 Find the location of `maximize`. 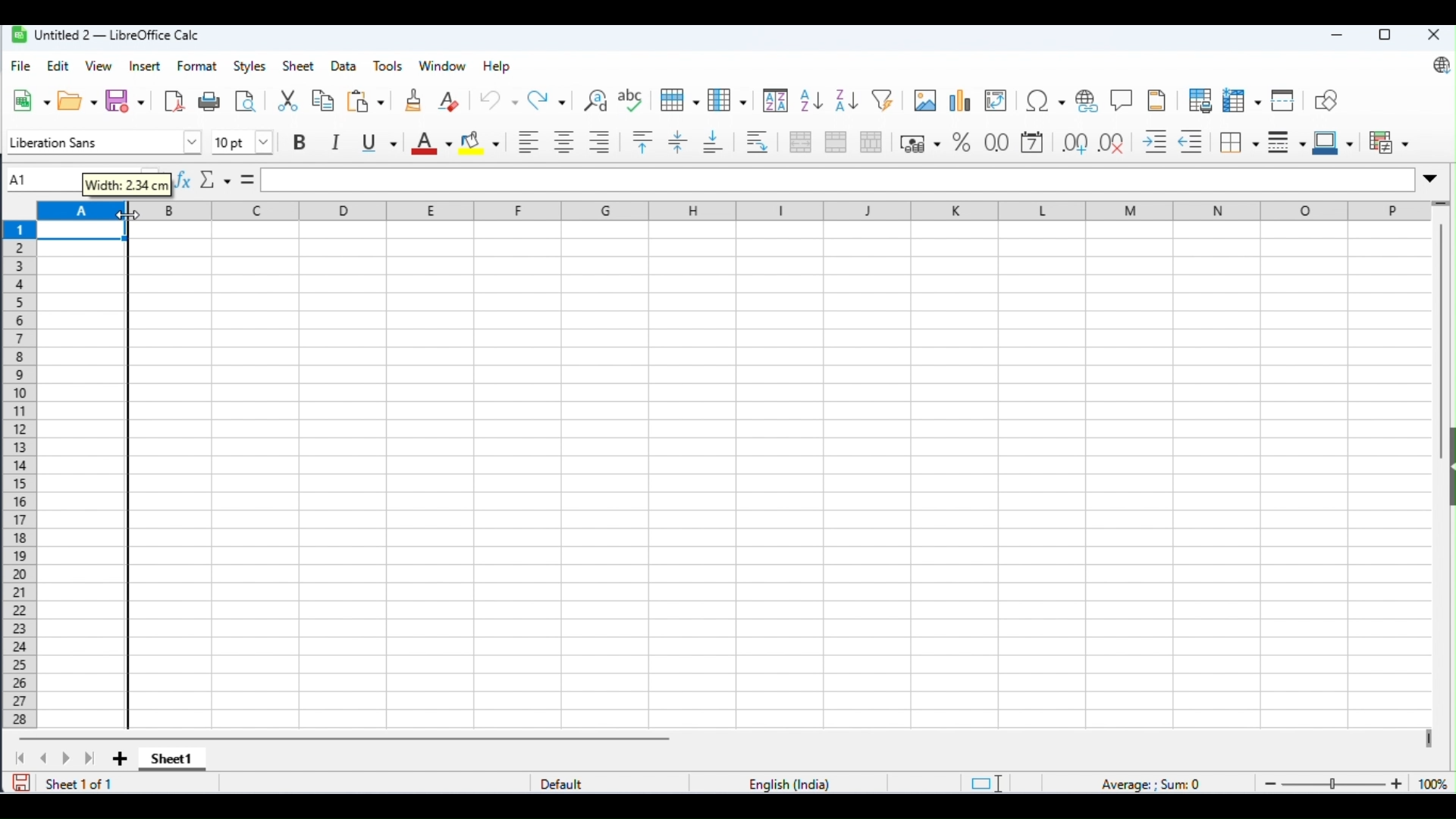

maximize is located at coordinates (1382, 36).